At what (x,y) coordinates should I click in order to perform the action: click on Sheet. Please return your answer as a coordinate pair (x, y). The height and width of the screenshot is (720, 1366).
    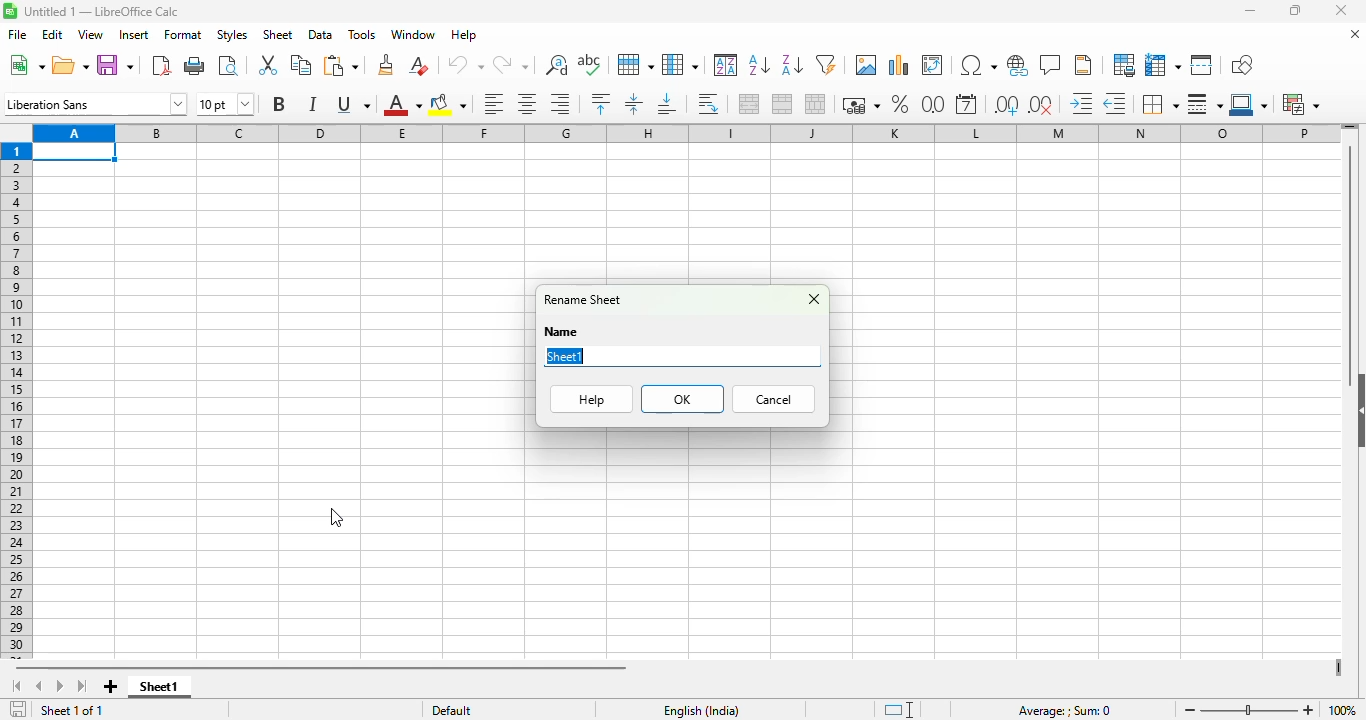
    Looking at the image, I should click on (563, 356).